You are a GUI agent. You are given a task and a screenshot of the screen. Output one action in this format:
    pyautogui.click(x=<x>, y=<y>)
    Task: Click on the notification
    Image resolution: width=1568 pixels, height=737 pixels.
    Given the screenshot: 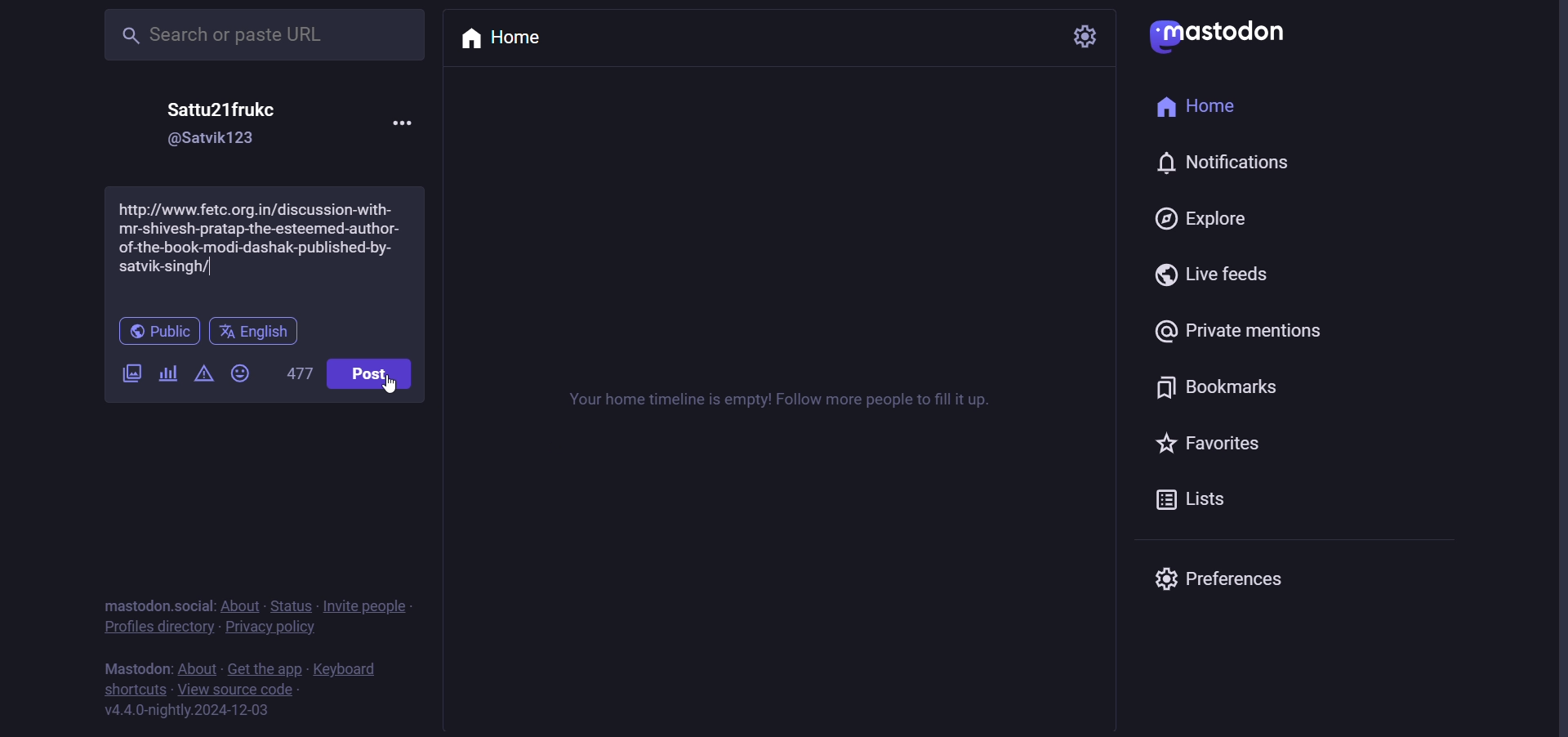 What is the action you would take?
    pyautogui.click(x=1229, y=161)
    